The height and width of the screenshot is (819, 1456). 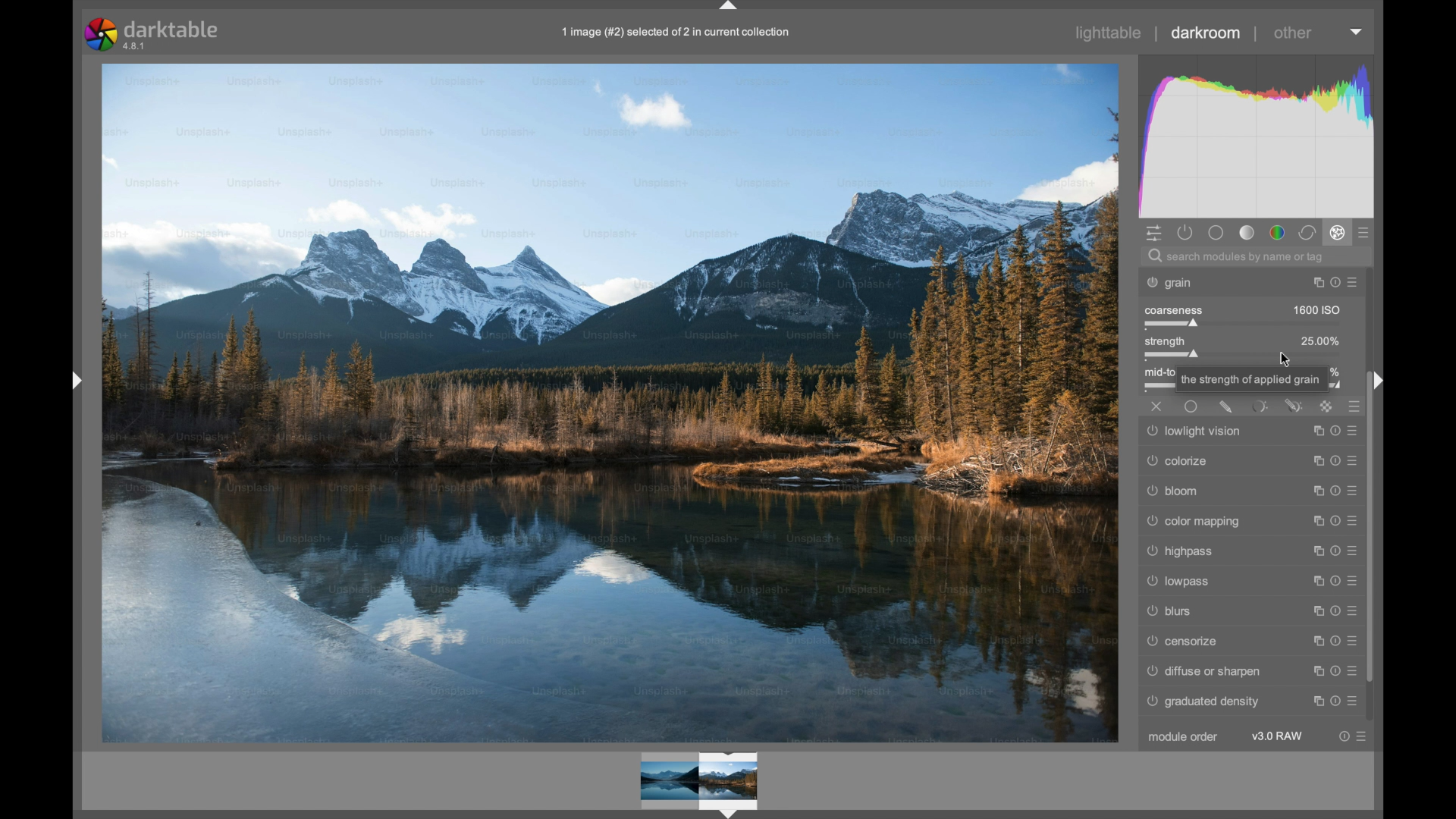 I want to click on reset parameters, so click(x=1335, y=701).